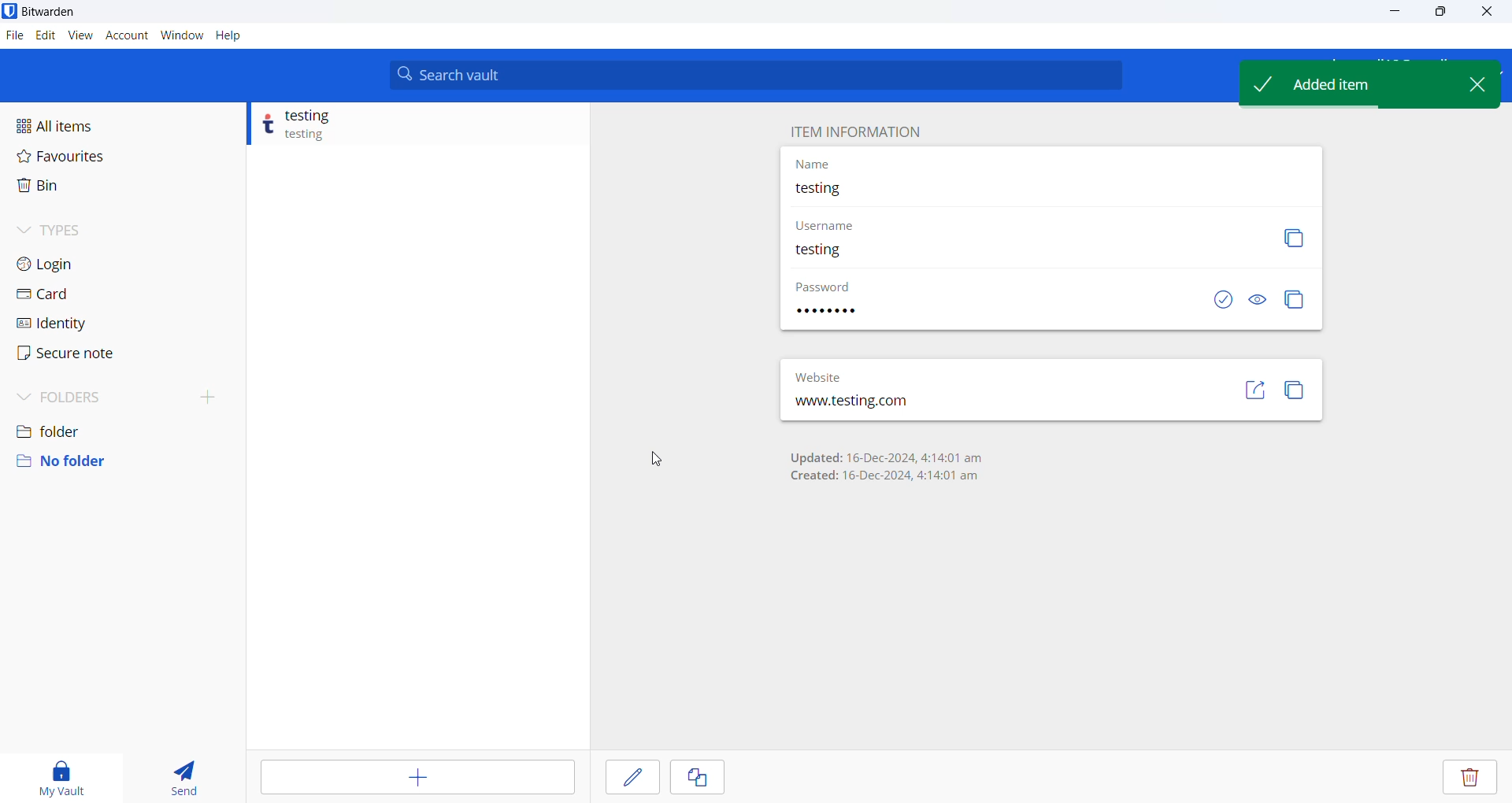  Describe the element at coordinates (82, 294) in the screenshot. I see `card` at that location.